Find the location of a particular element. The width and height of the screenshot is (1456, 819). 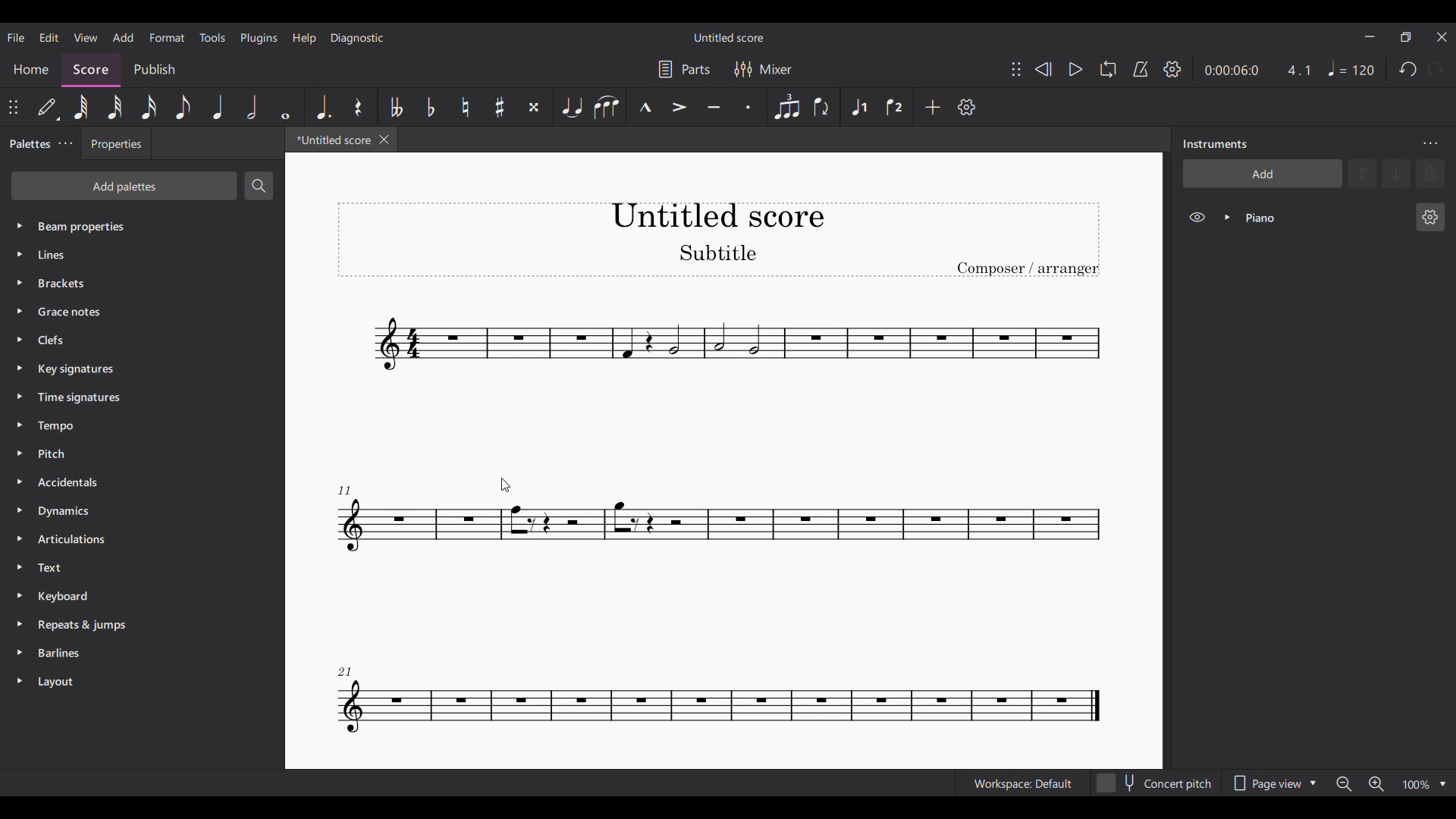

Marcato is located at coordinates (645, 107).